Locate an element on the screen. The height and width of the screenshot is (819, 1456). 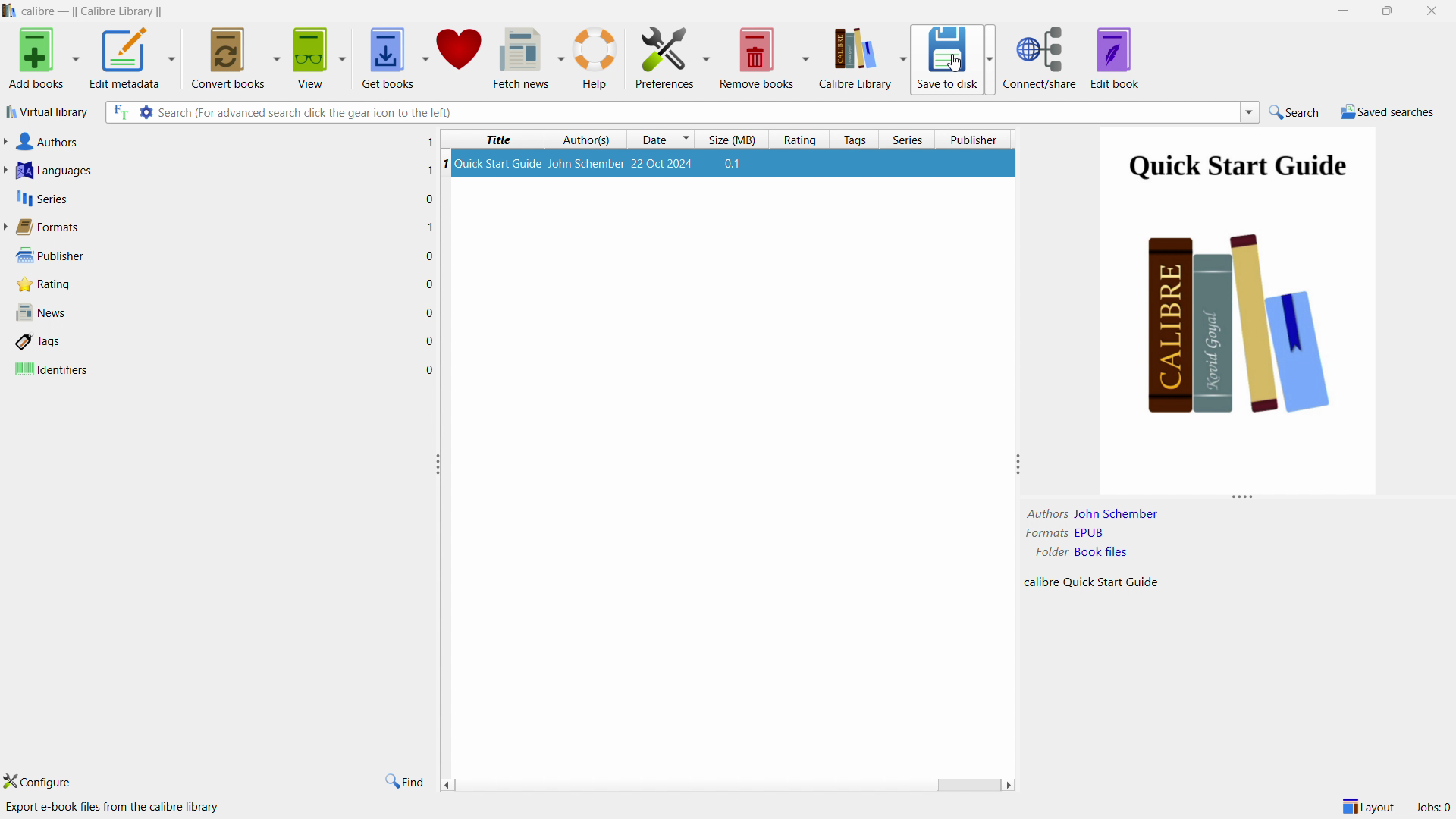
Get books is located at coordinates (385, 58).